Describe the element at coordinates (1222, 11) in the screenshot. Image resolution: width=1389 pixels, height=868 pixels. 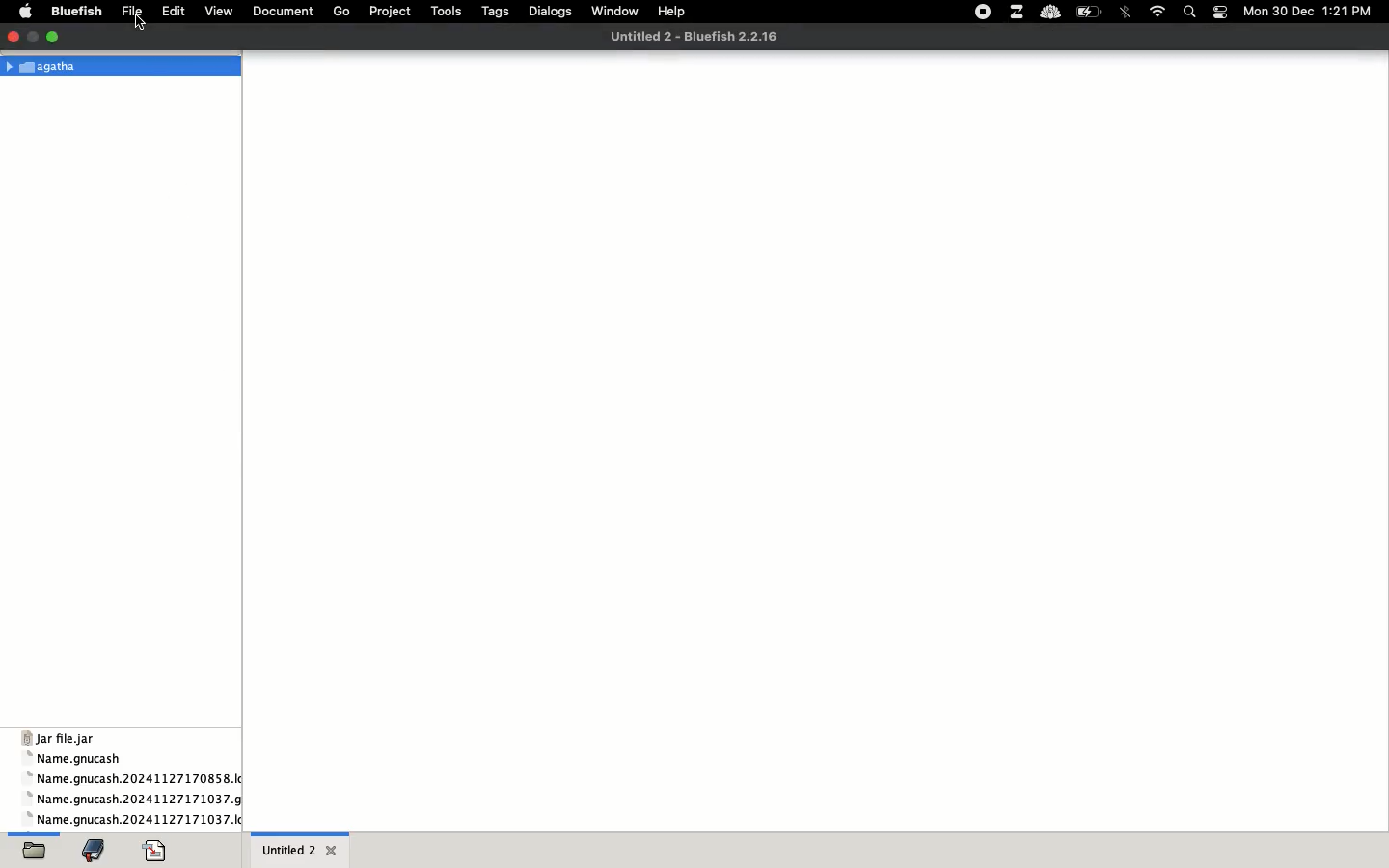
I see `notification` at that location.